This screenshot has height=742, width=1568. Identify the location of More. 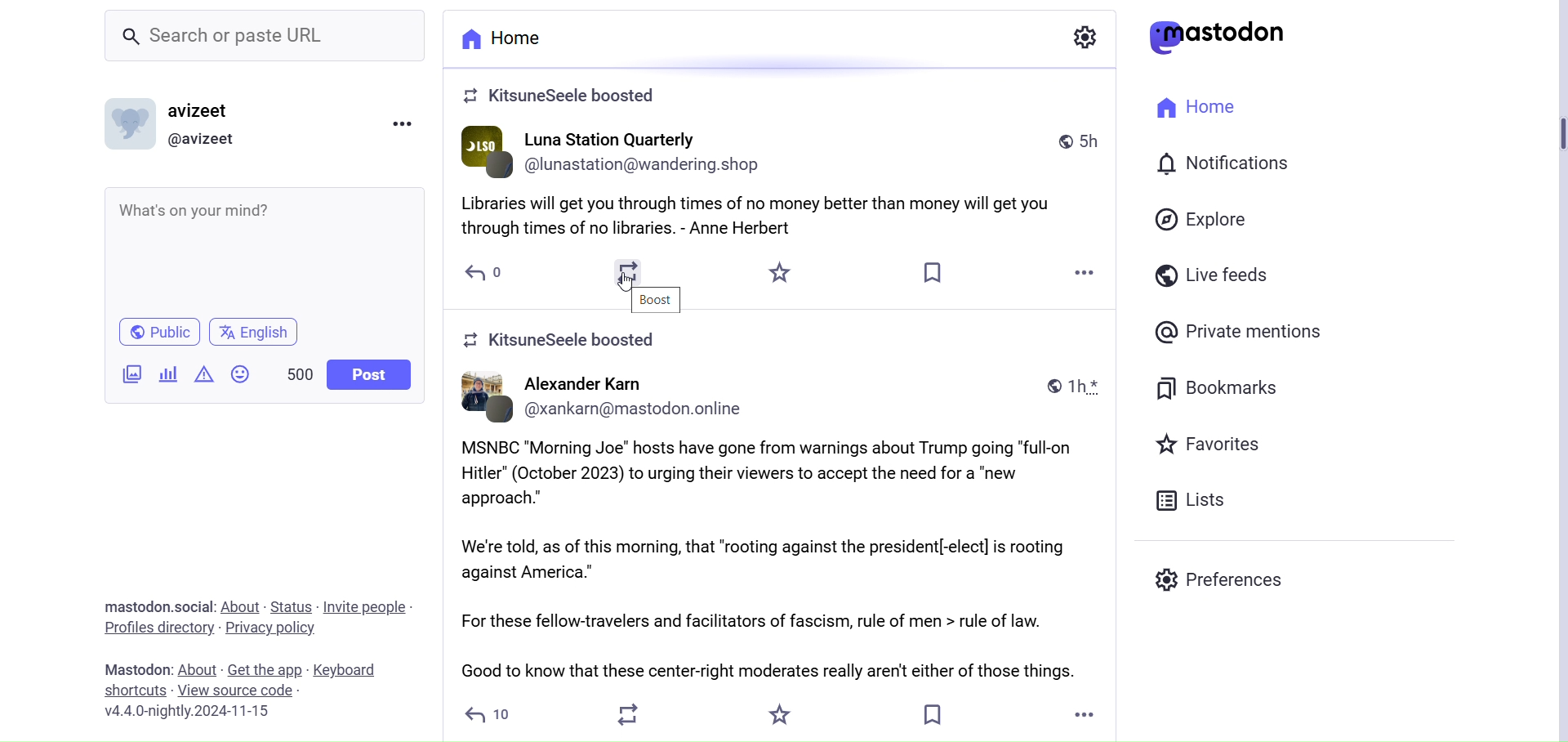
(1083, 716).